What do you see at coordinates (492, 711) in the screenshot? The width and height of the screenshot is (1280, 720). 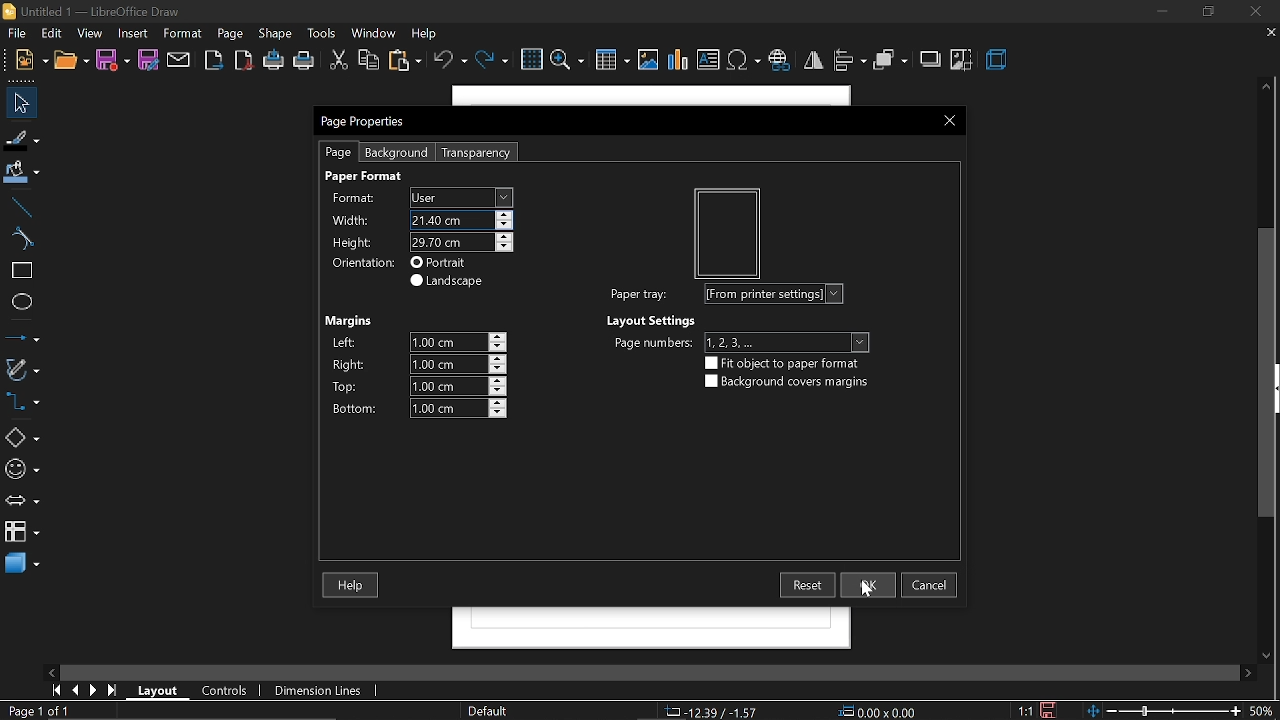 I see `Defaul - page style` at bounding box center [492, 711].